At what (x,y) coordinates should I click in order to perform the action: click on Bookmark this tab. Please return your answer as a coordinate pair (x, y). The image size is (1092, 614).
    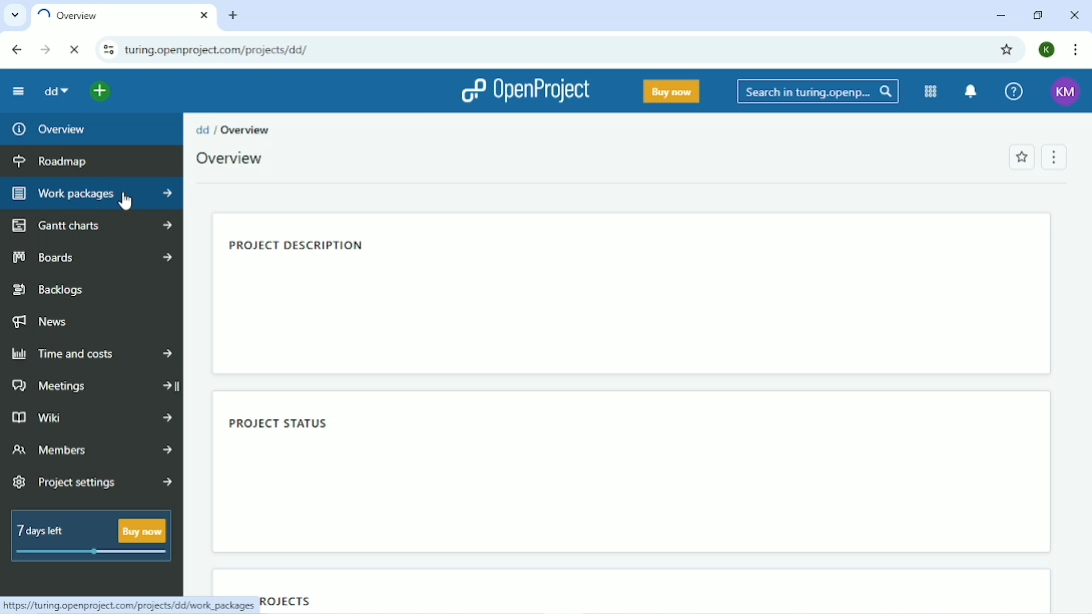
    Looking at the image, I should click on (1006, 50).